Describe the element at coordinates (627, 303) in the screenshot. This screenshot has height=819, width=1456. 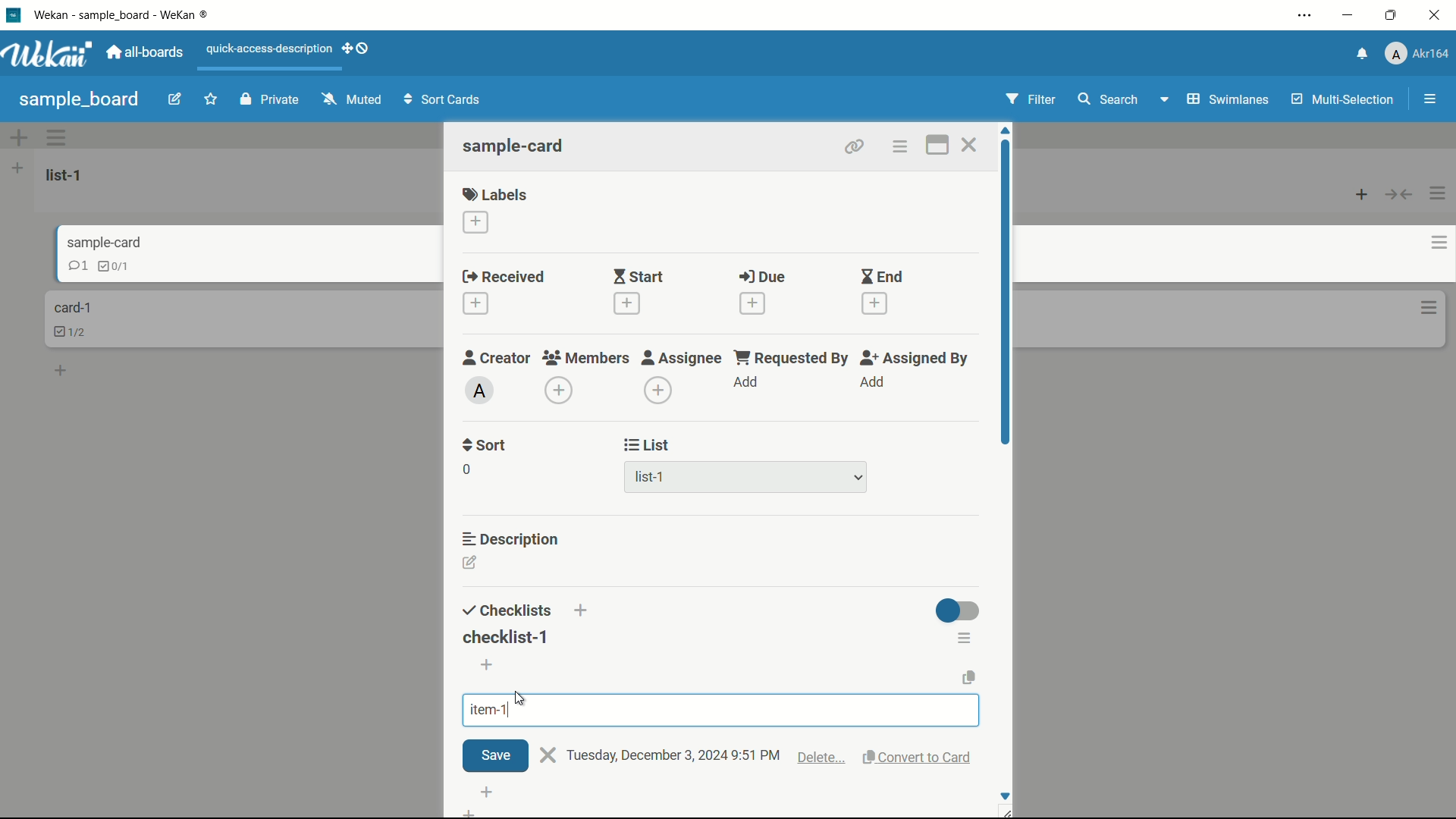
I see `add date` at that location.